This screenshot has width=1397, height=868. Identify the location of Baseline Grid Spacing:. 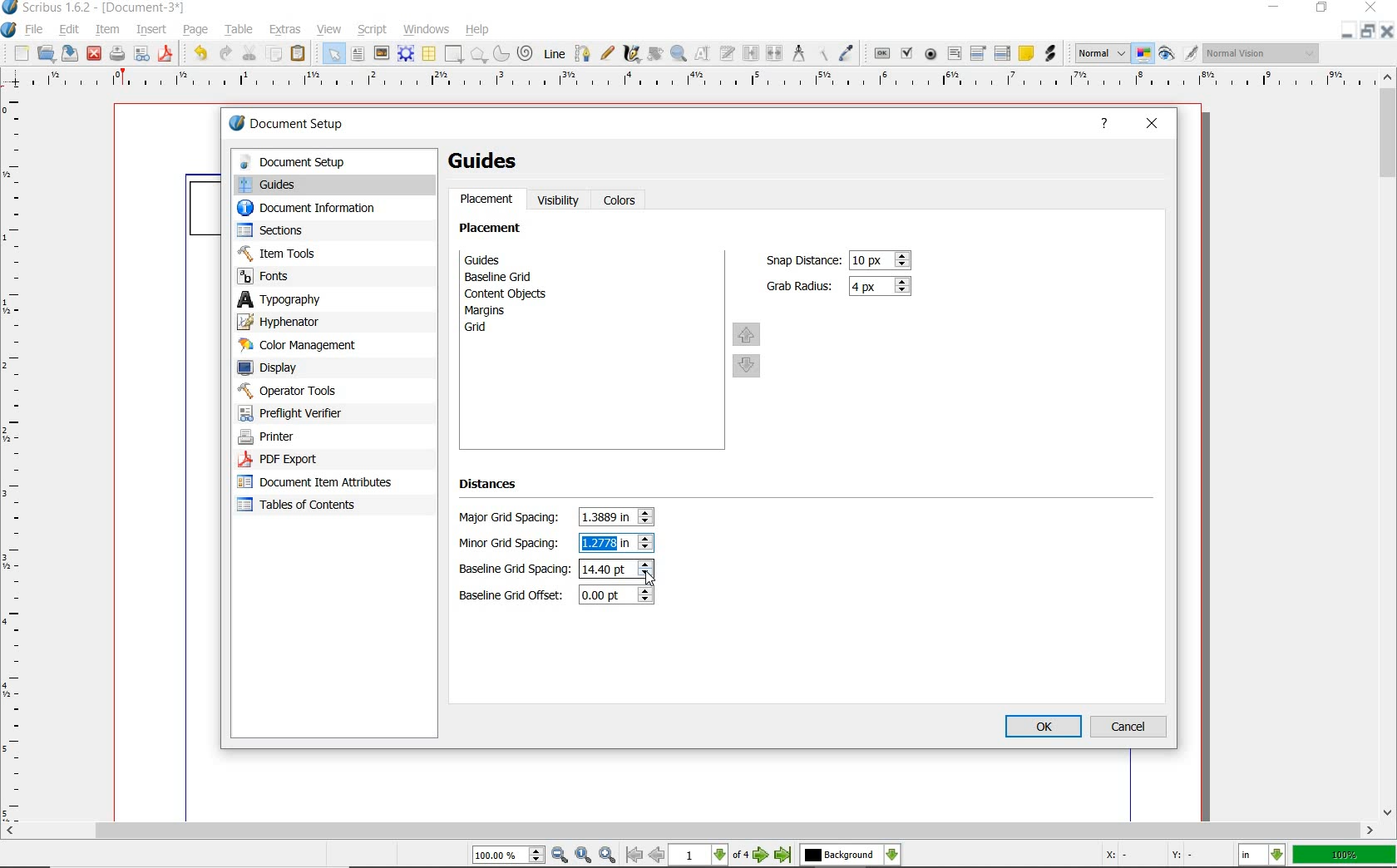
(515, 570).